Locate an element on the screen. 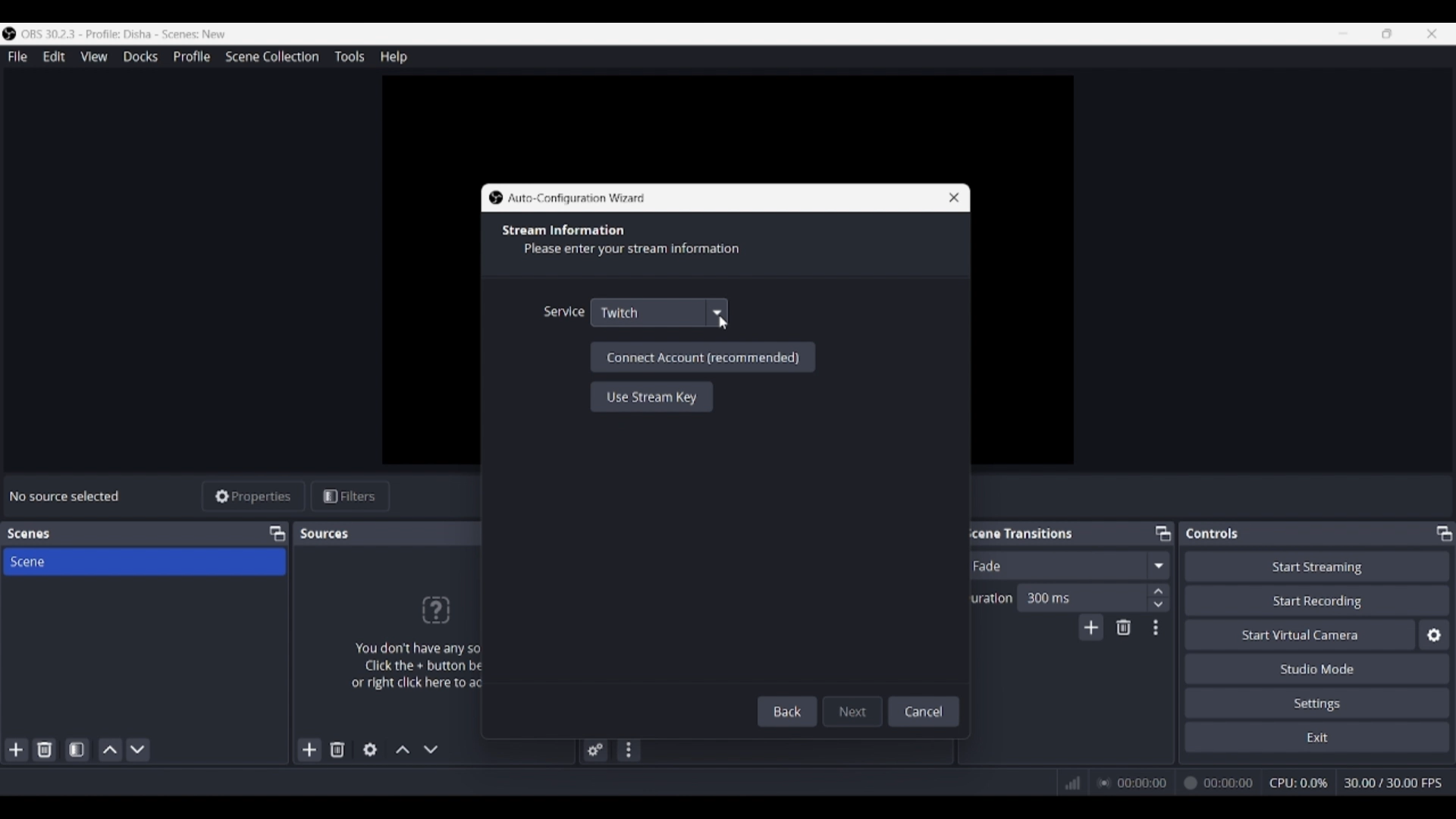 Image resolution: width=1456 pixels, height=819 pixels. Float Scene transitions panel is located at coordinates (1163, 533).